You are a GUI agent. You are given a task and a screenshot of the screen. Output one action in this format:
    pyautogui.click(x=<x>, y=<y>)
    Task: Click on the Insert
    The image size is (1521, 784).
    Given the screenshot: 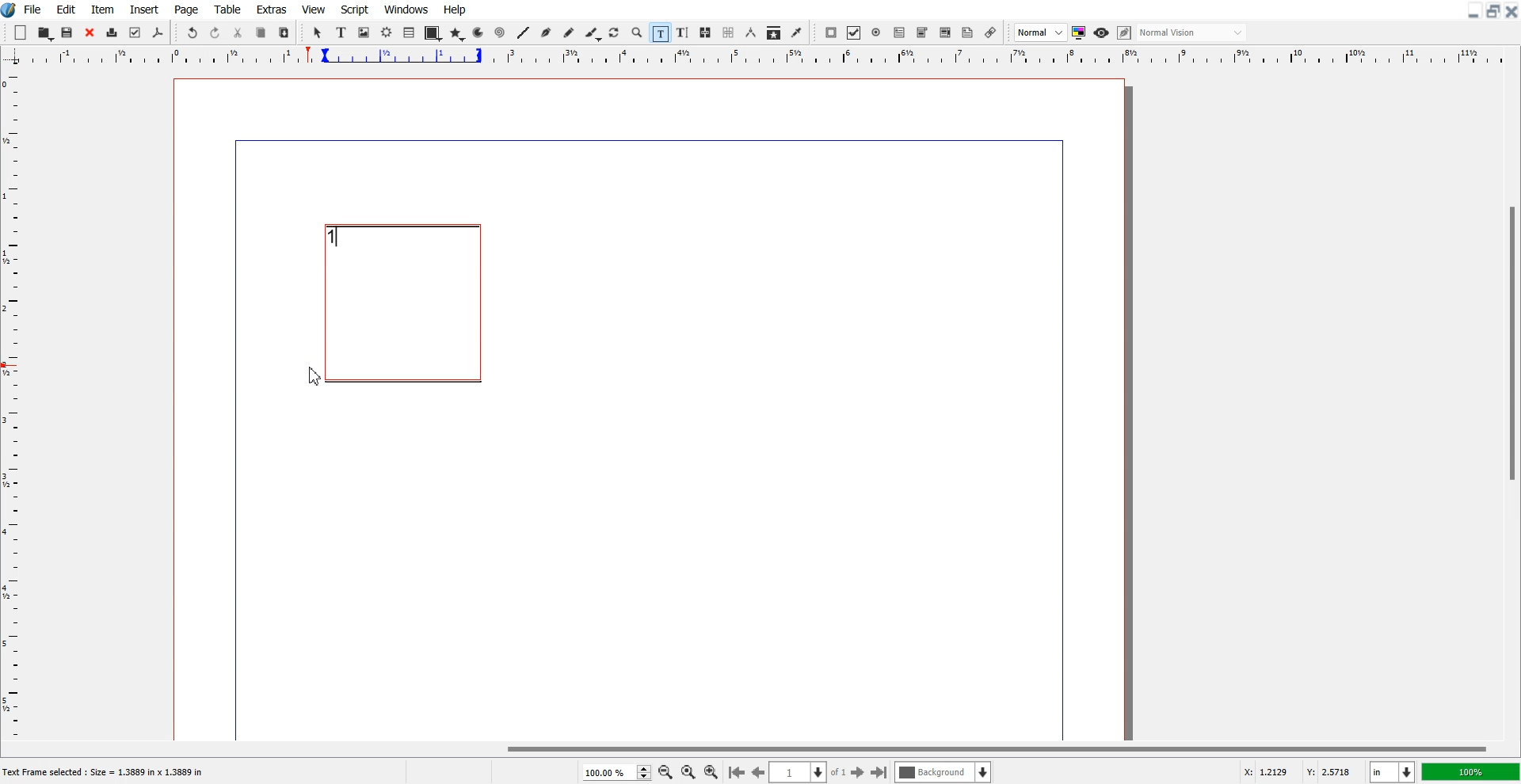 What is the action you would take?
    pyautogui.click(x=143, y=10)
    